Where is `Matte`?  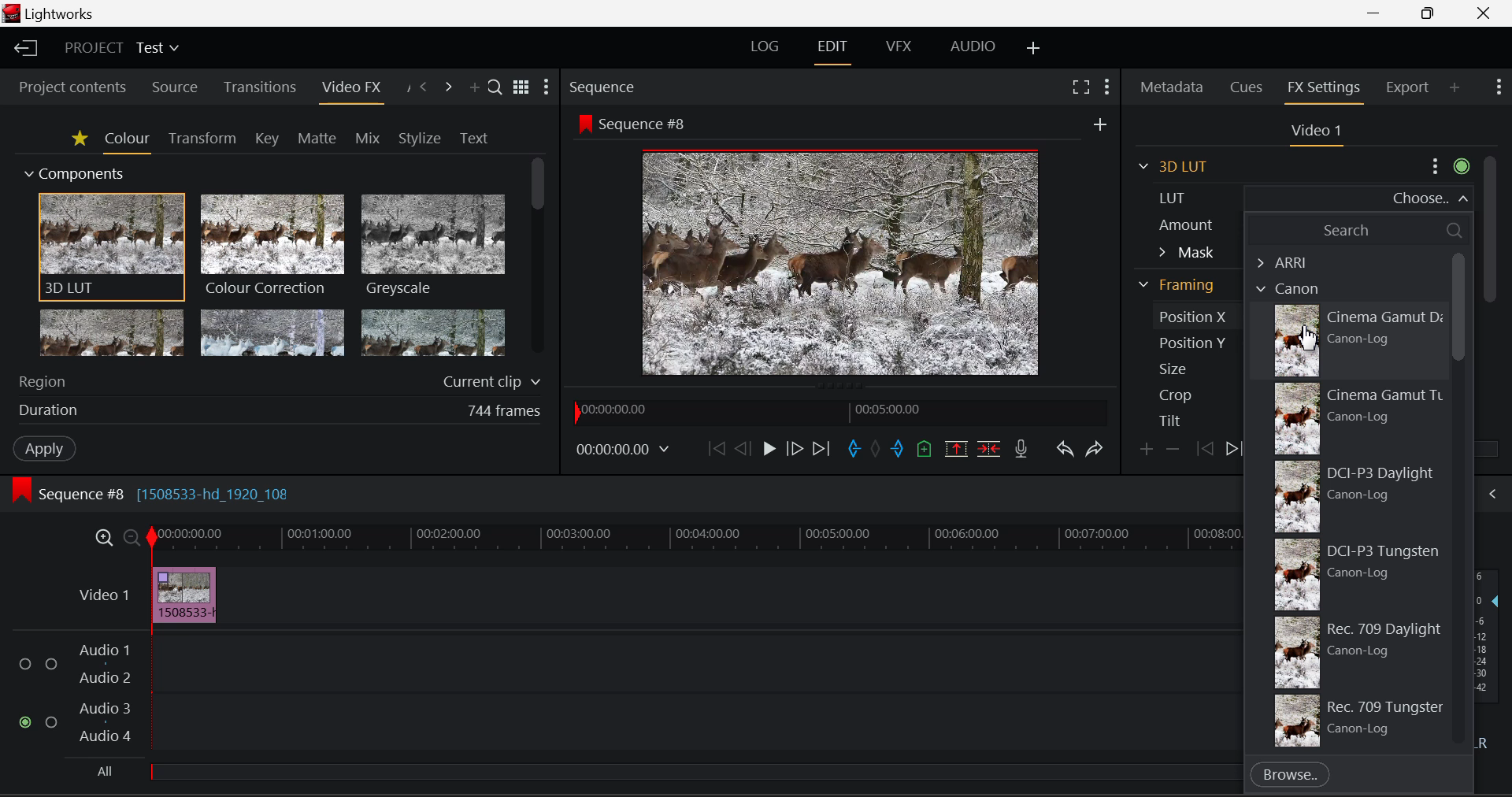
Matte is located at coordinates (313, 136).